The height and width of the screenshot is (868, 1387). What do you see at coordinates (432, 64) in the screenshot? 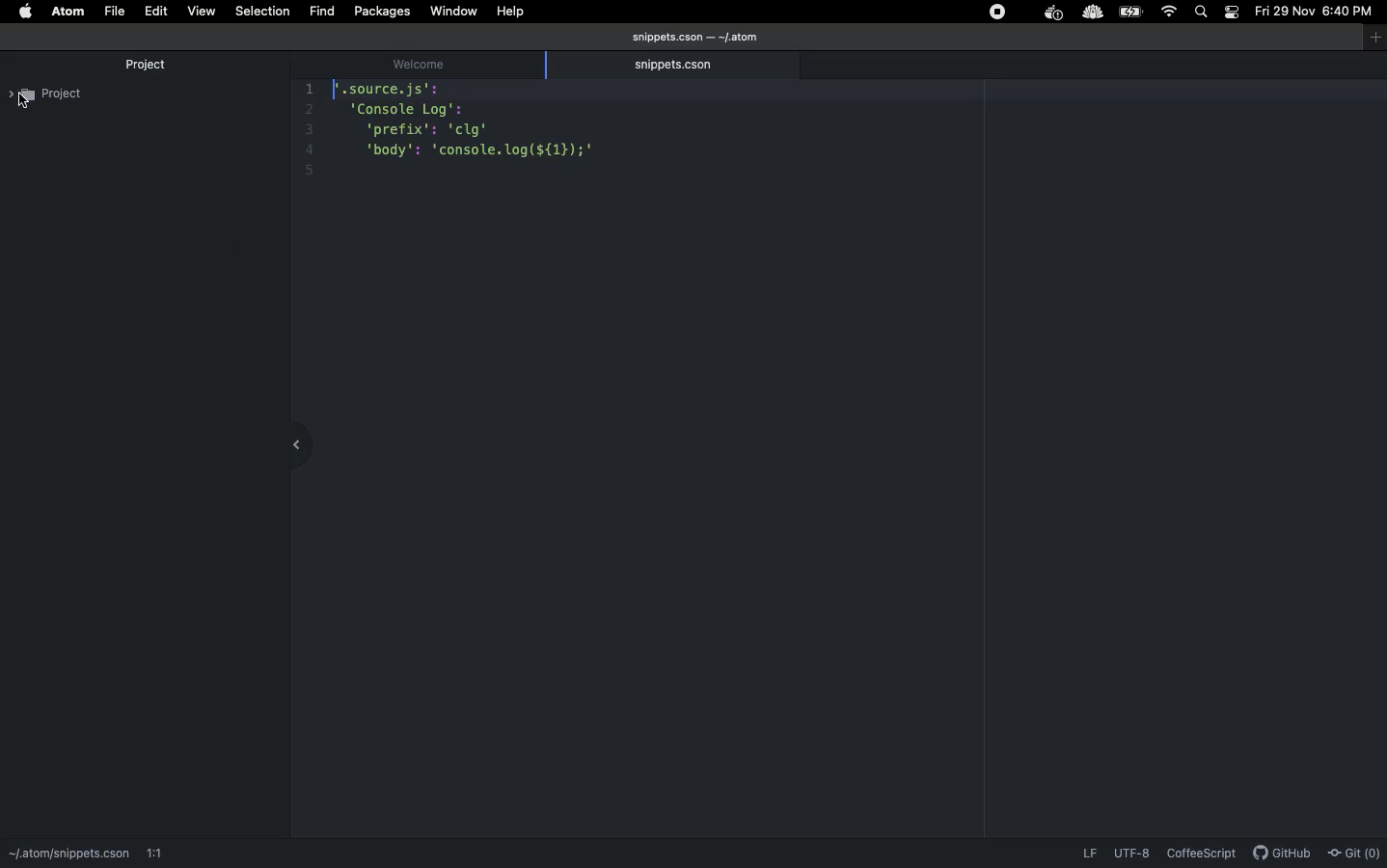
I see `welcome` at bounding box center [432, 64].